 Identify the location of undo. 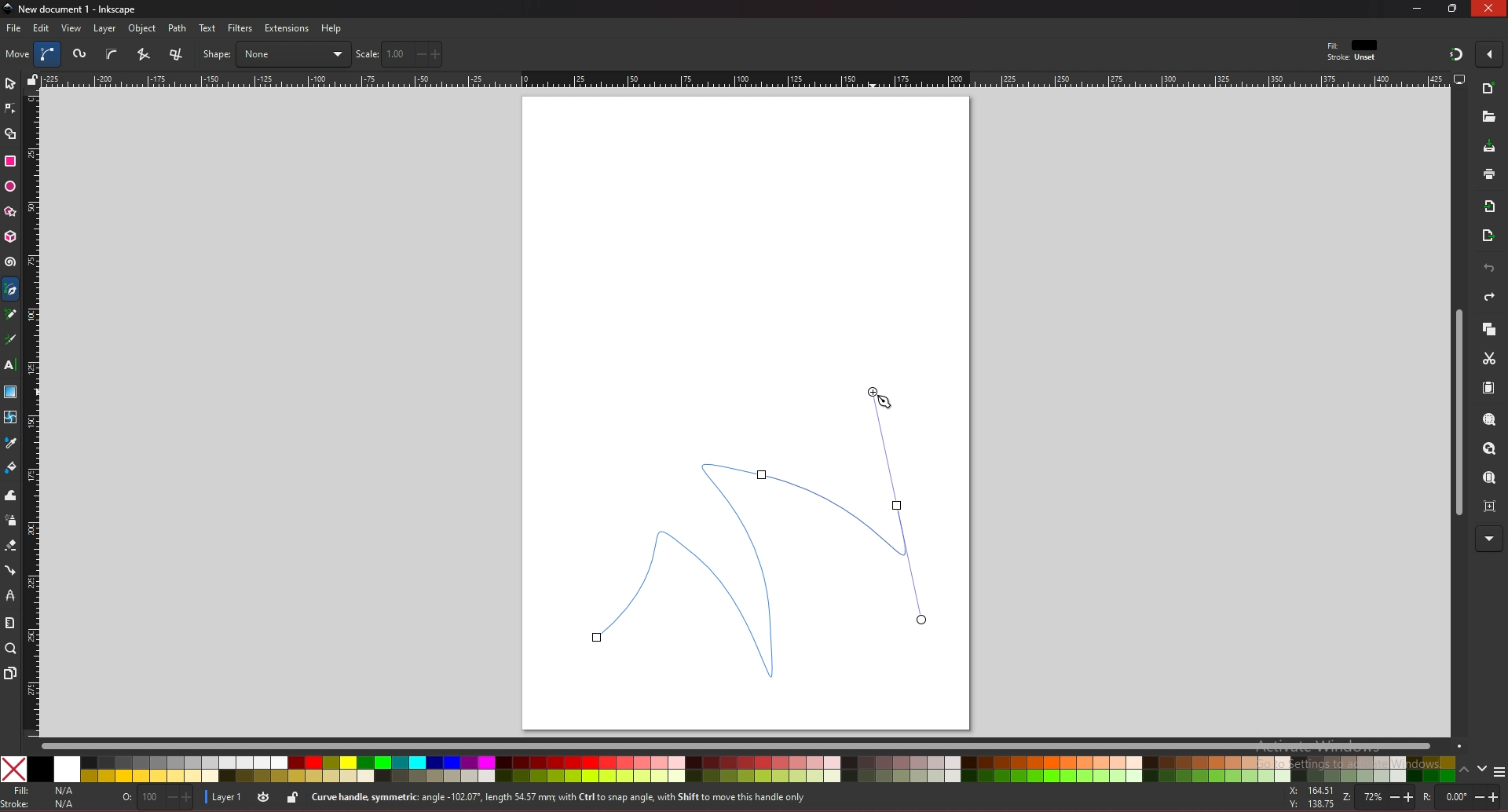
(1489, 269).